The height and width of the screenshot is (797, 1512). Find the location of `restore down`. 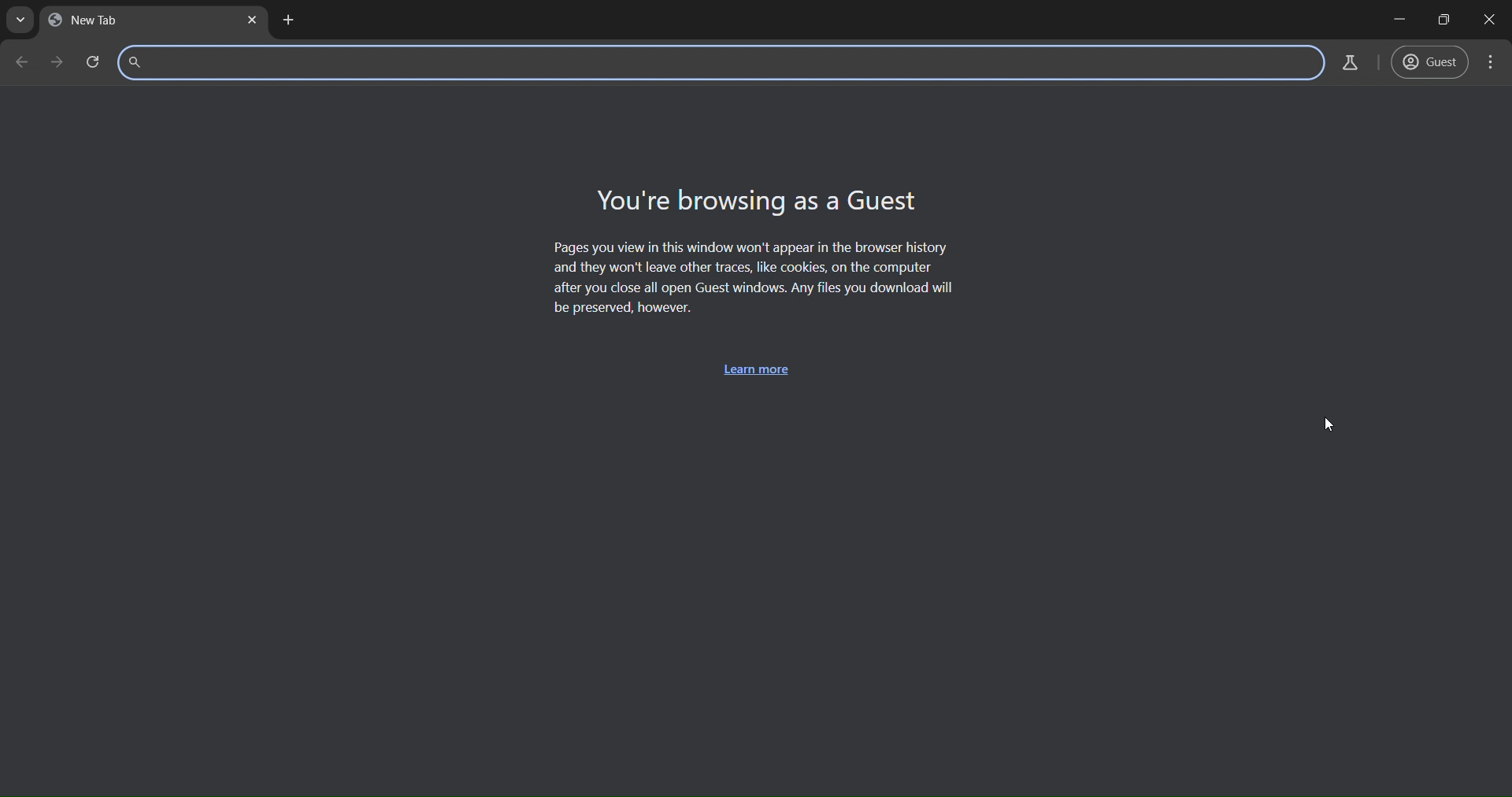

restore down is located at coordinates (1445, 21).